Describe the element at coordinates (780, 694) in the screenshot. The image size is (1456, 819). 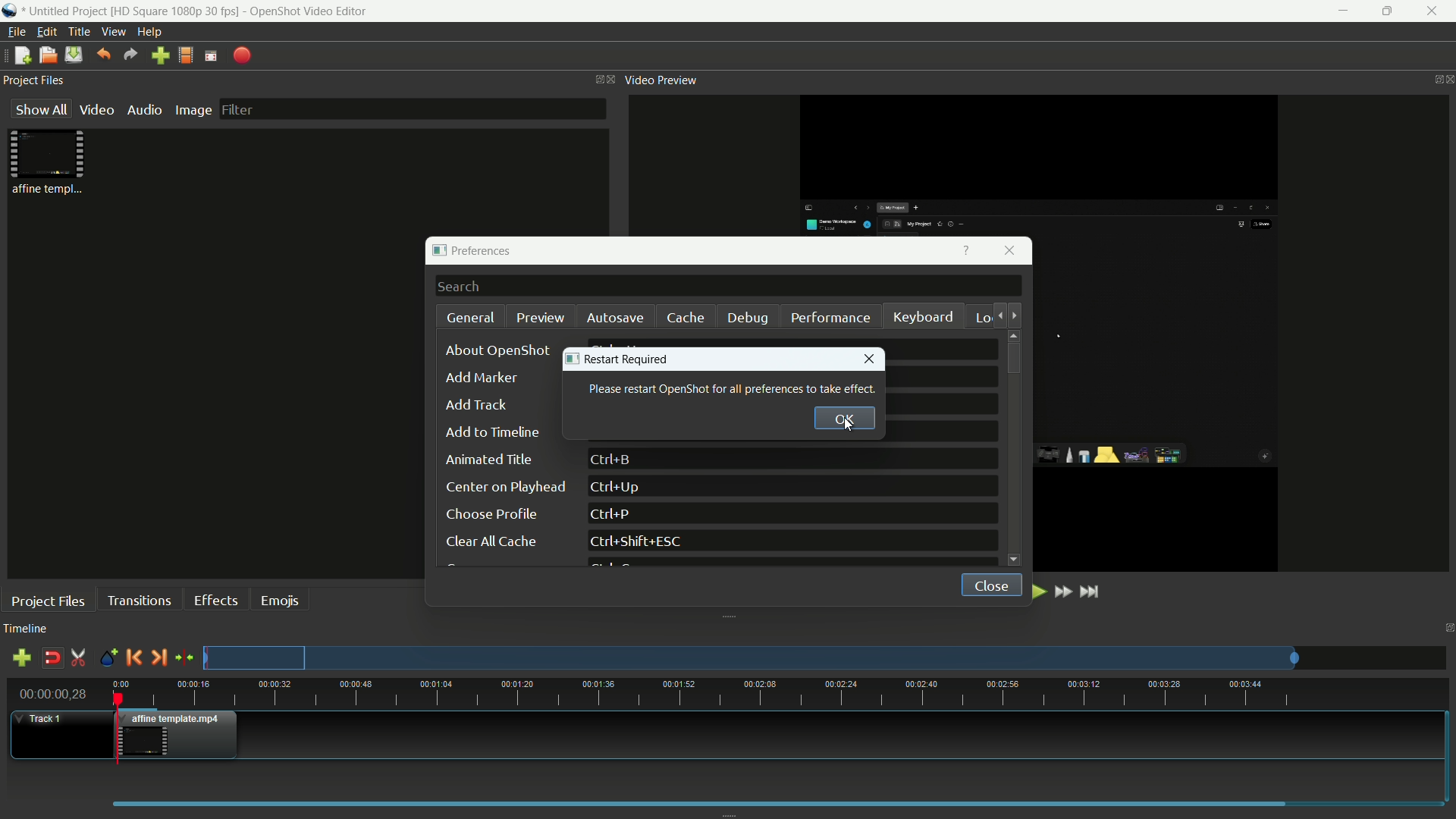
I see `time` at that location.